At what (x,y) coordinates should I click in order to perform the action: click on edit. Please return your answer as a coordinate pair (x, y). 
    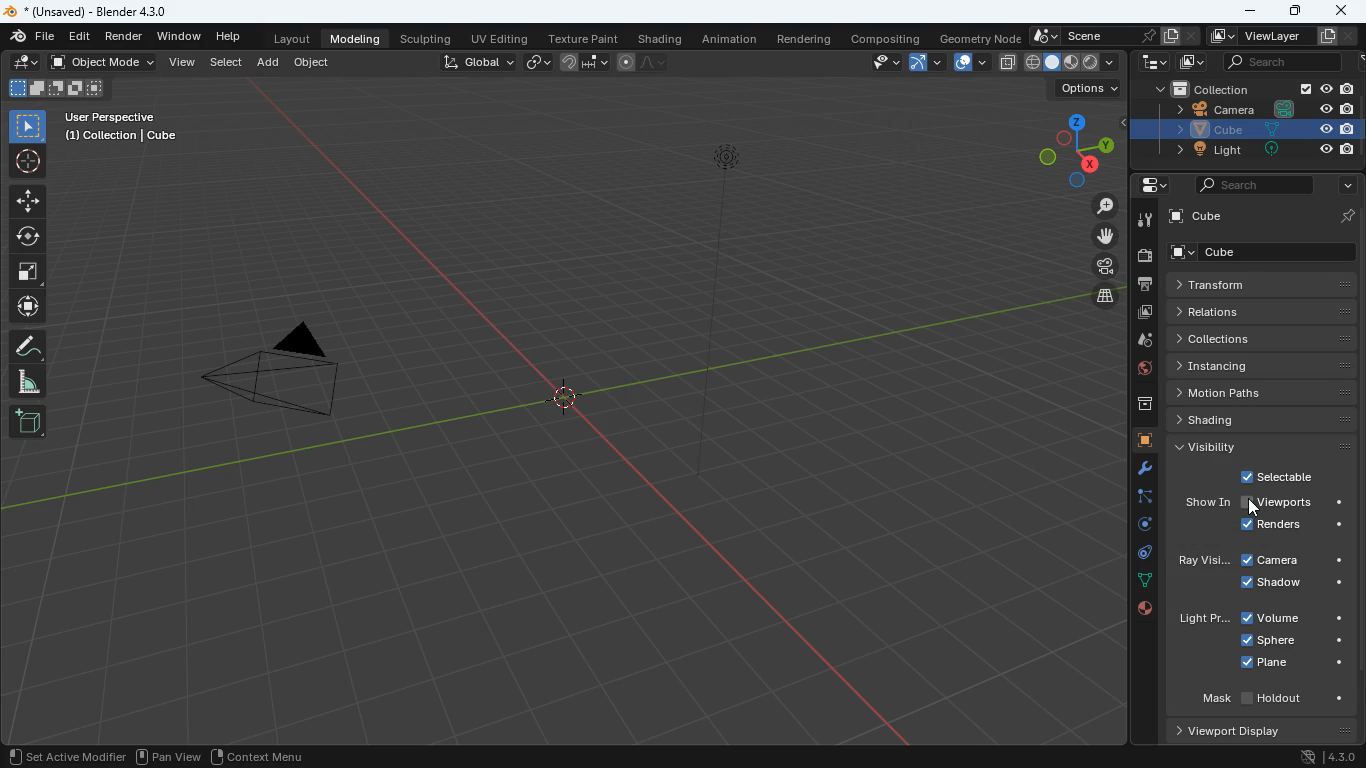
    Looking at the image, I should click on (79, 37).